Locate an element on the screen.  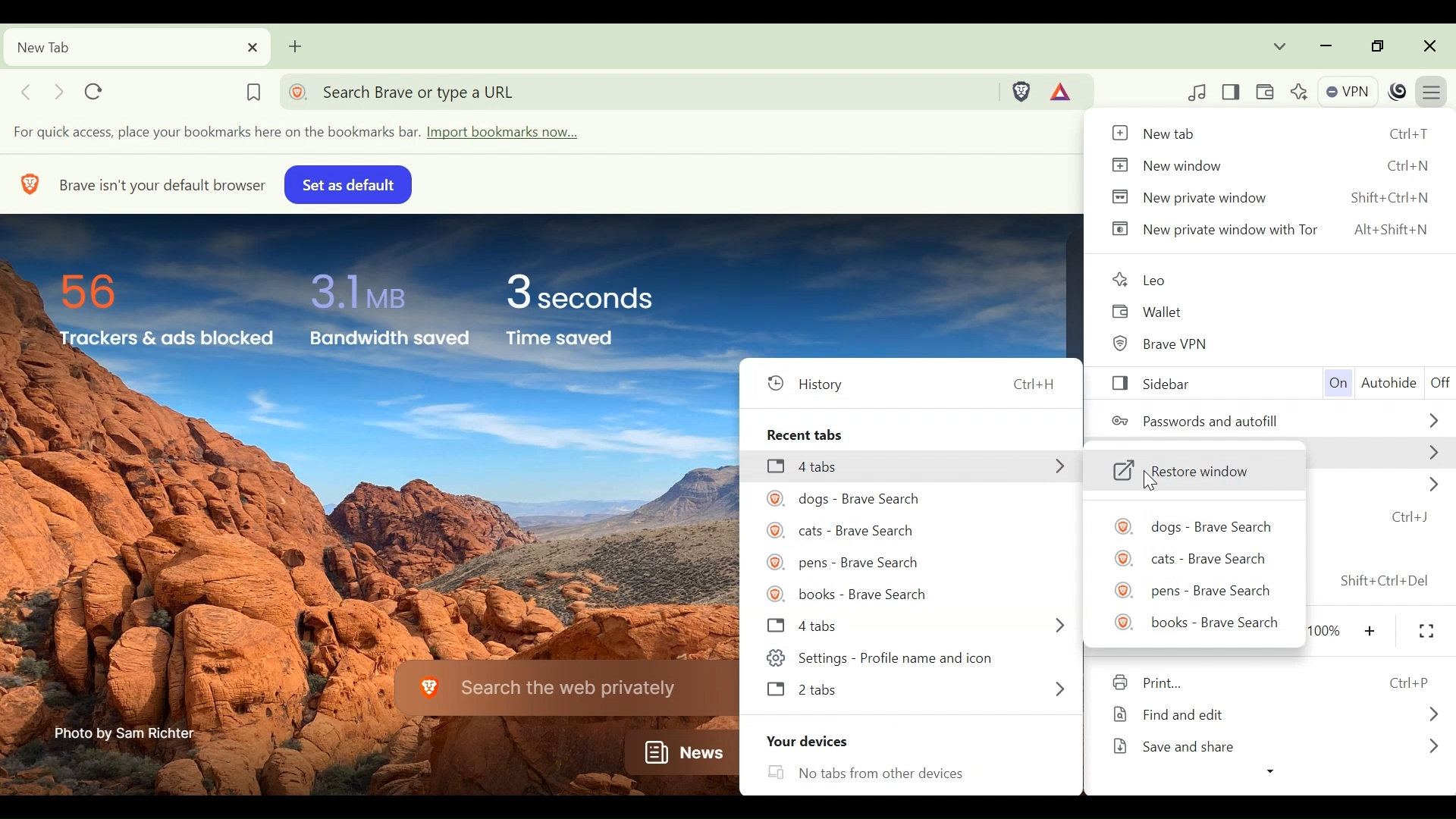
MORE is located at coordinates (1432, 453).